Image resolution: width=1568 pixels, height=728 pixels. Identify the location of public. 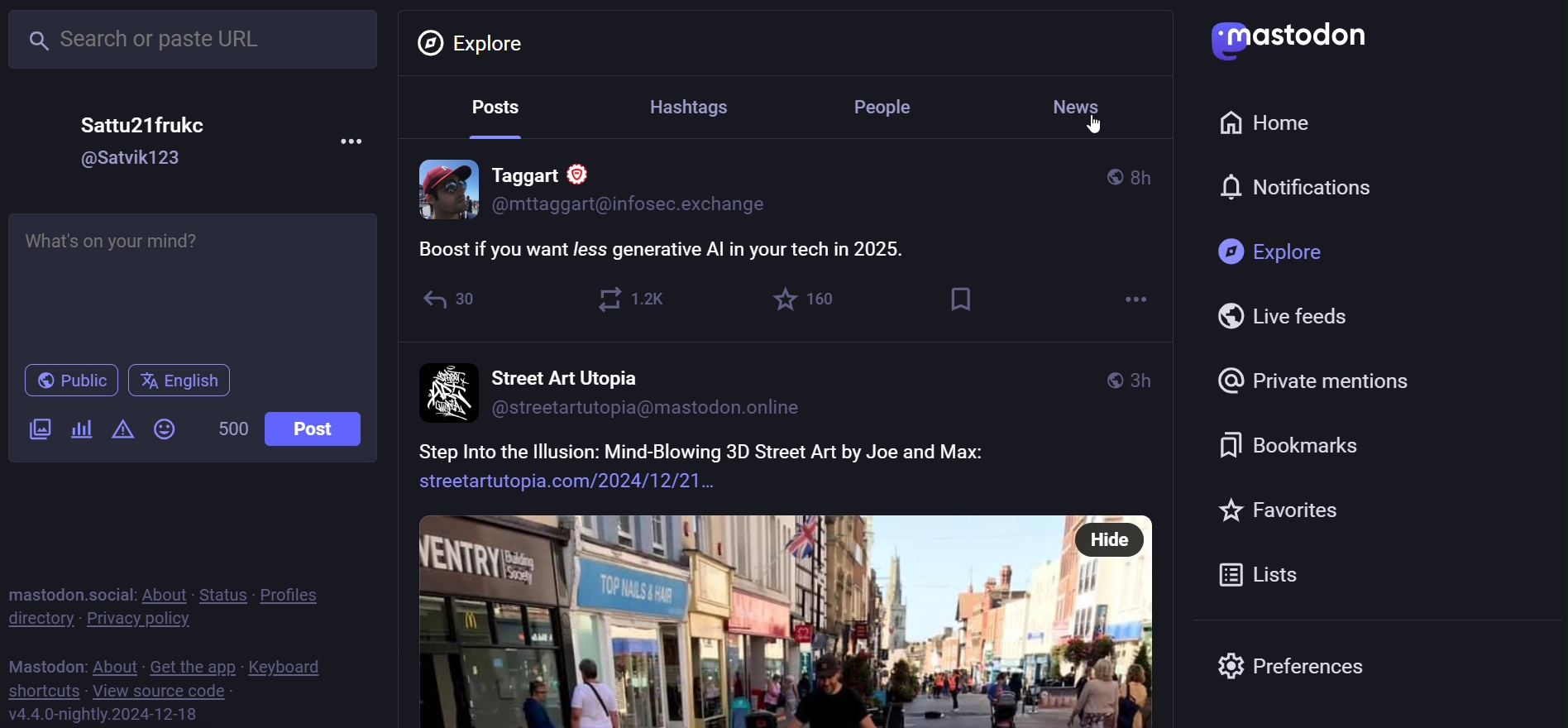
(69, 381).